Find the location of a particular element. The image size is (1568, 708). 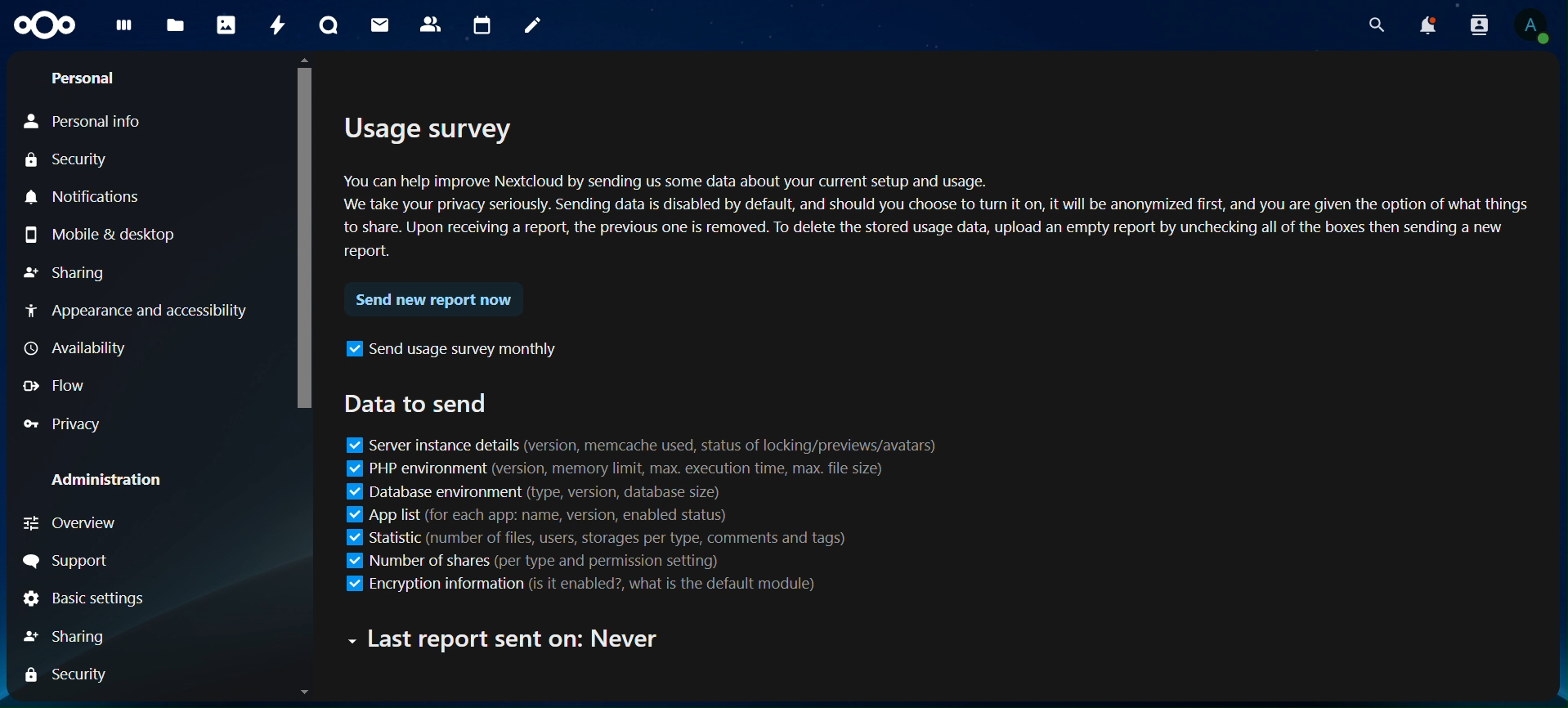

database environment is located at coordinates (529, 492).